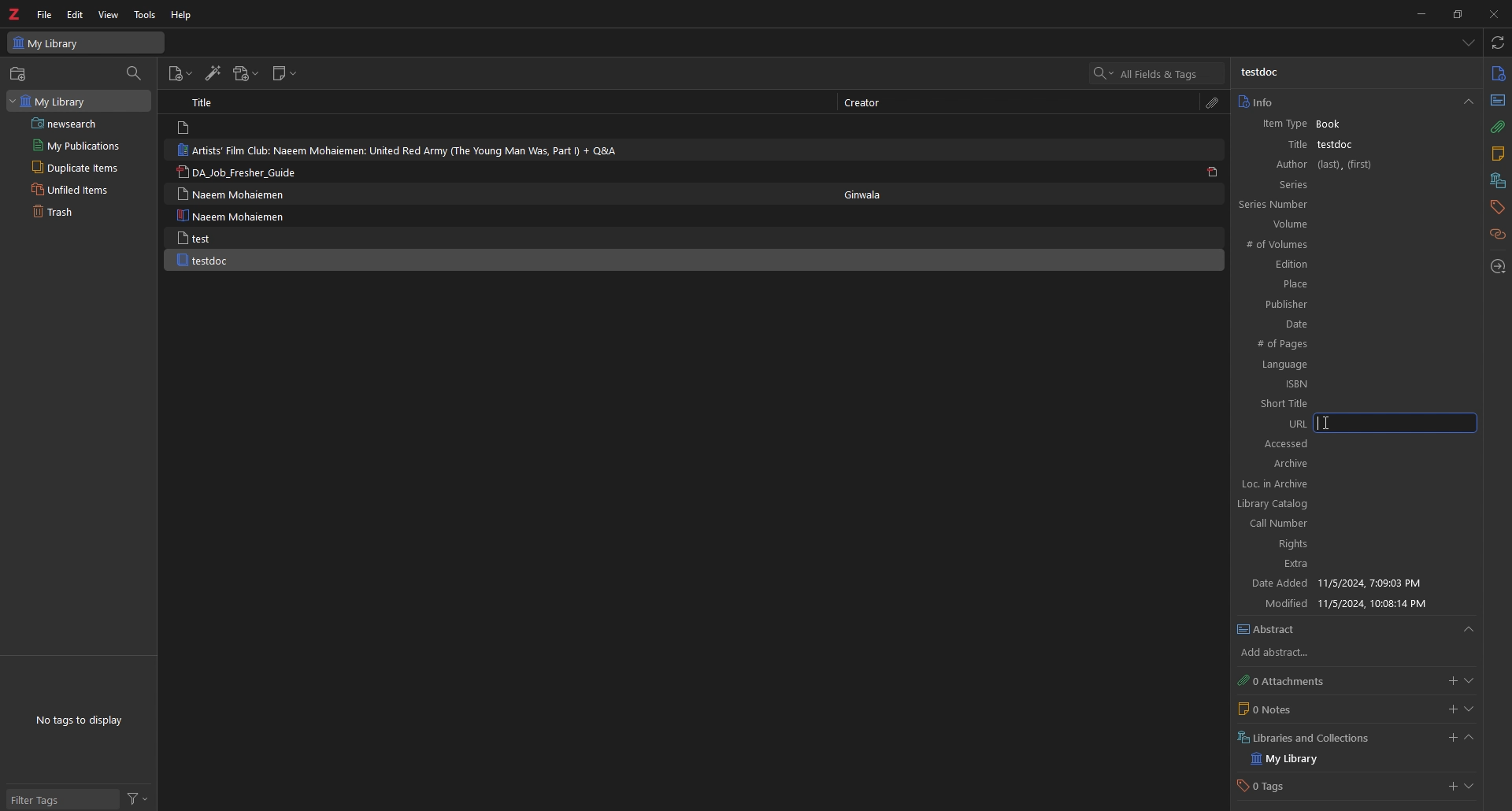 This screenshot has width=1512, height=811. What do you see at coordinates (1322, 224) in the screenshot?
I see `Volume` at bounding box center [1322, 224].